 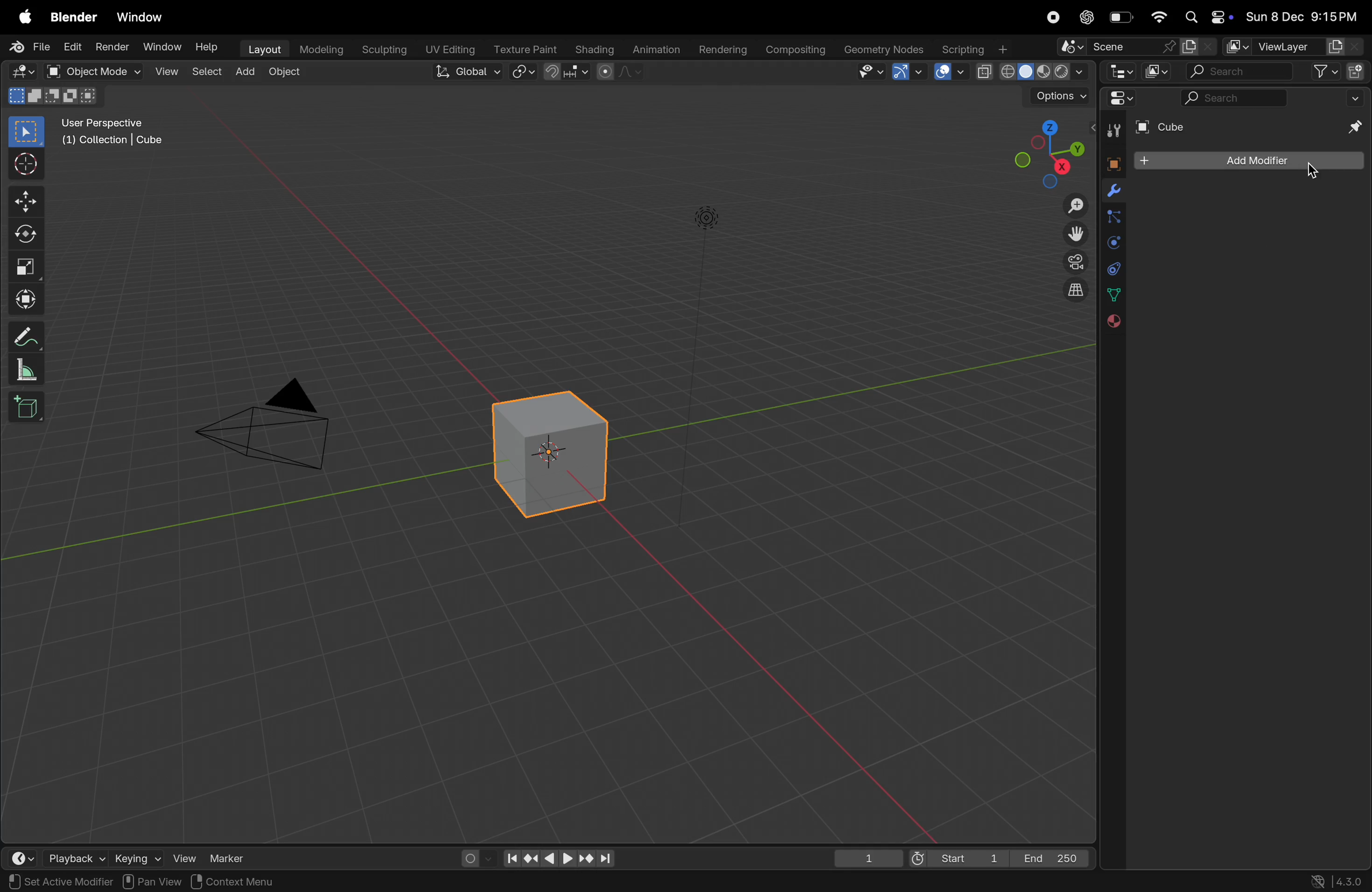 I want to click on + add modifier, so click(x=1248, y=162).